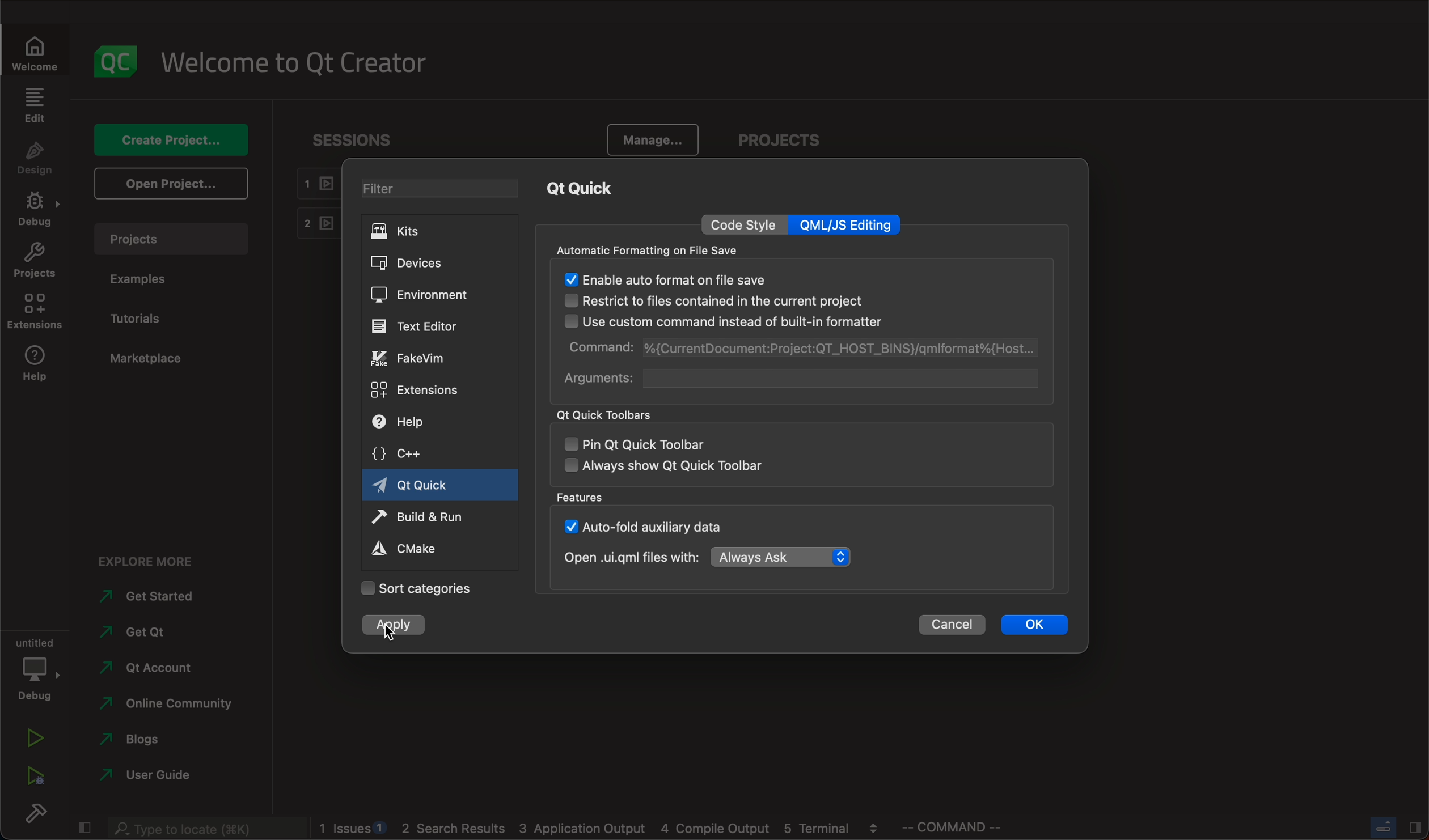  What do you see at coordinates (775, 140) in the screenshot?
I see `projects` at bounding box center [775, 140].